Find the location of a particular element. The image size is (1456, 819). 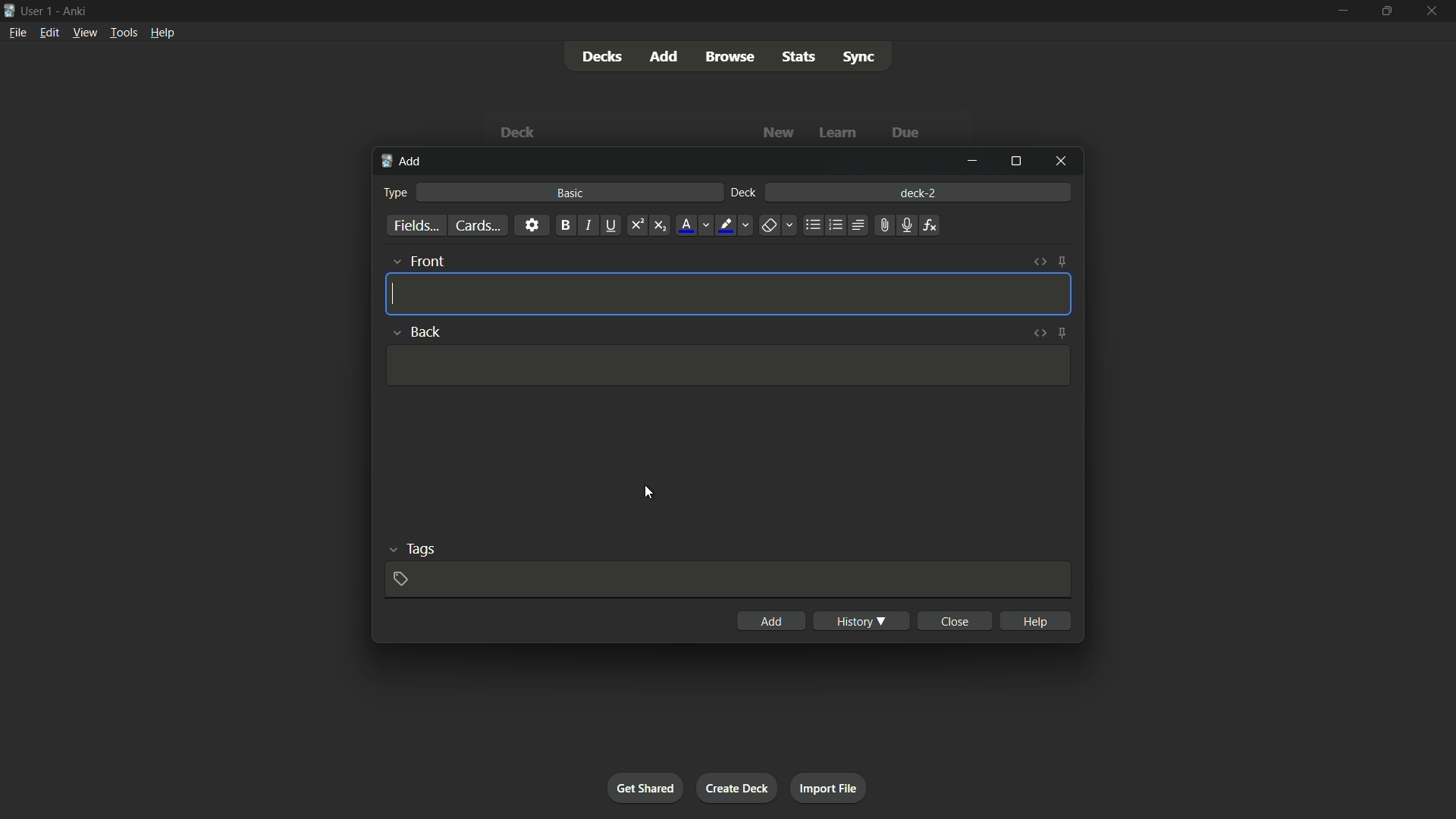

unordered list is located at coordinates (812, 227).